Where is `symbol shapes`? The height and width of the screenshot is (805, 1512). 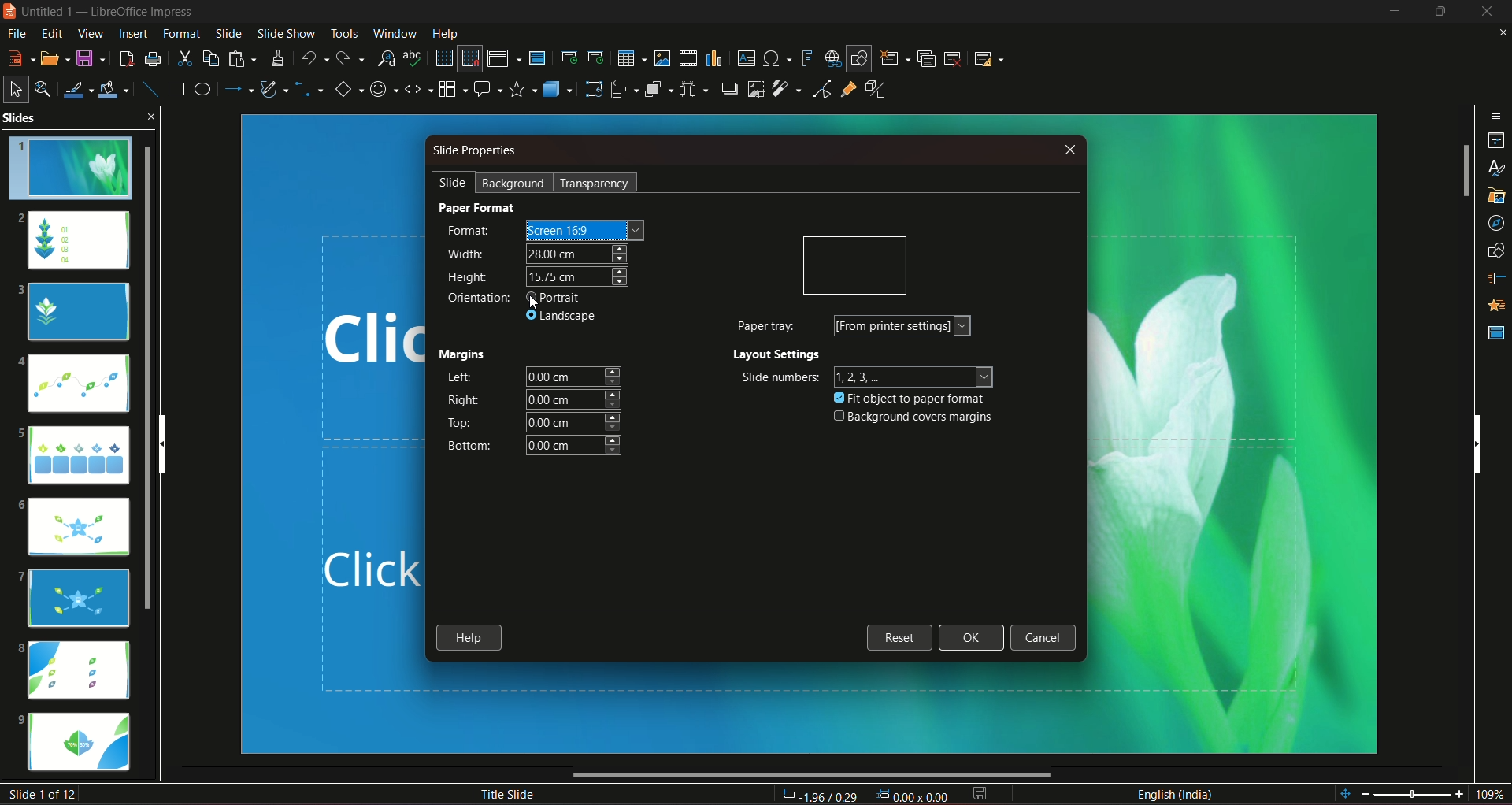
symbol shapes is located at coordinates (384, 89).